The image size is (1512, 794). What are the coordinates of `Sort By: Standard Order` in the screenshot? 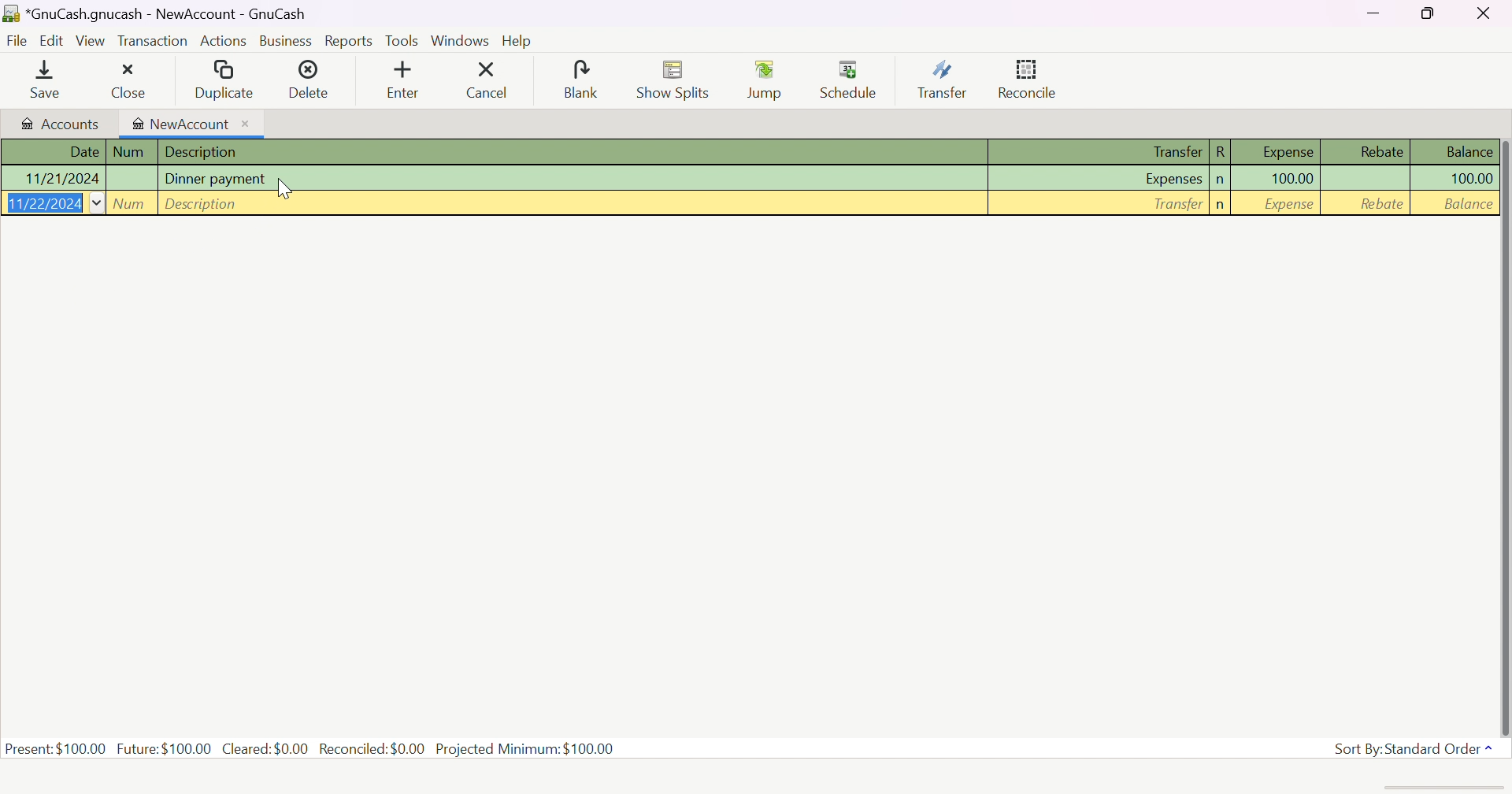 It's located at (1416, 749).